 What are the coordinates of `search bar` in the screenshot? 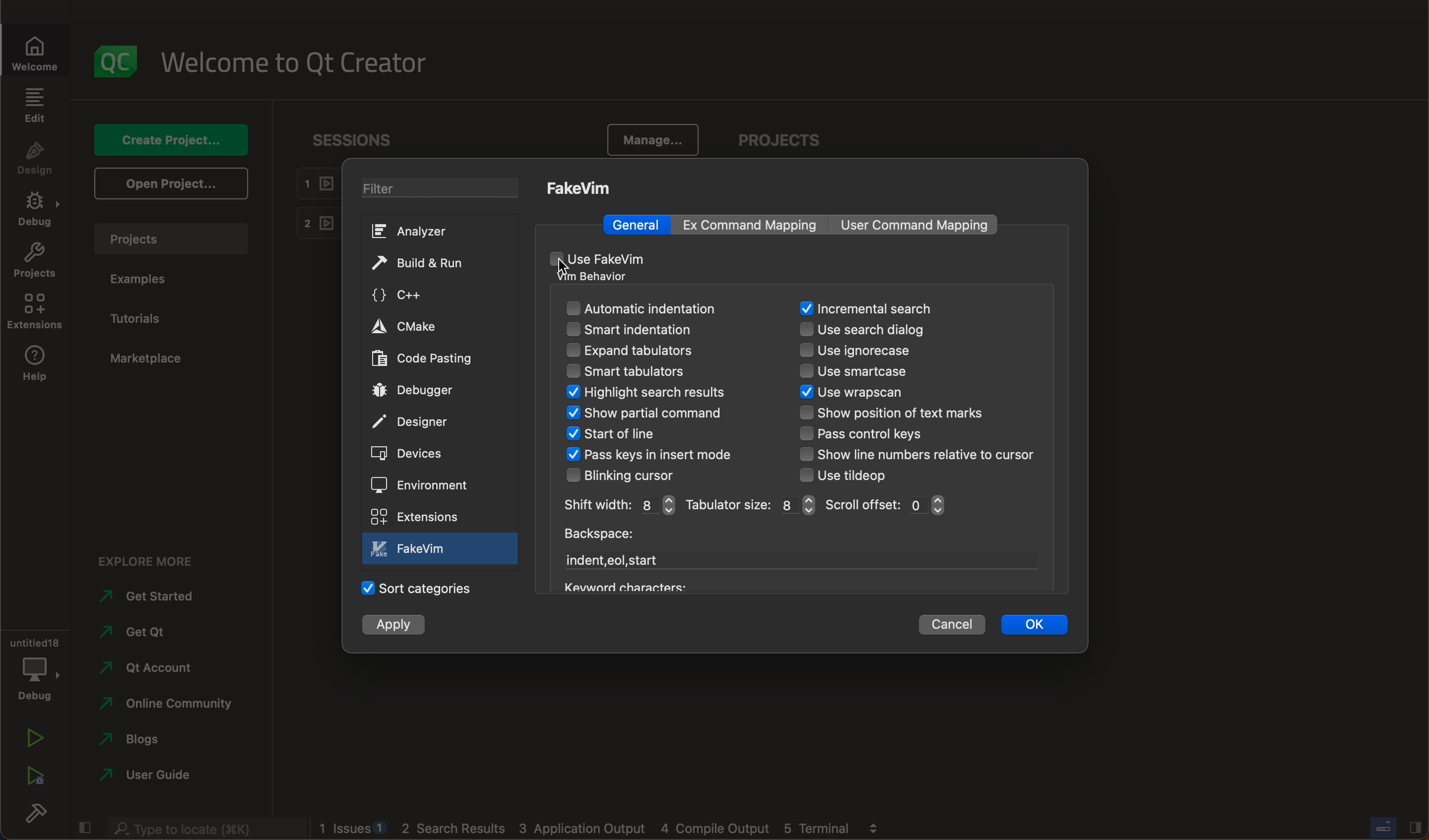 It's located at (208, 828).